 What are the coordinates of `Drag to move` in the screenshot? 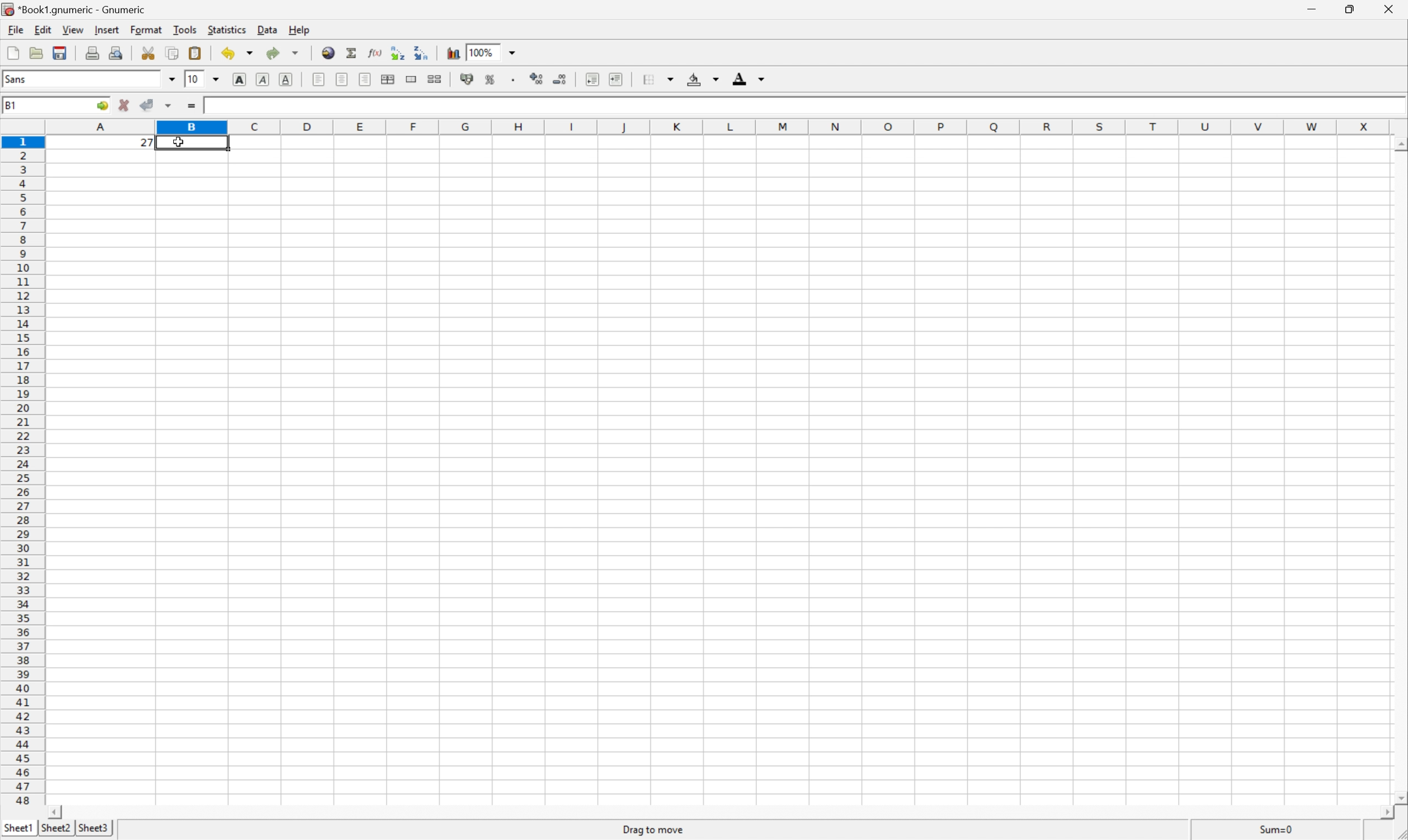 It's located at (654, 831).